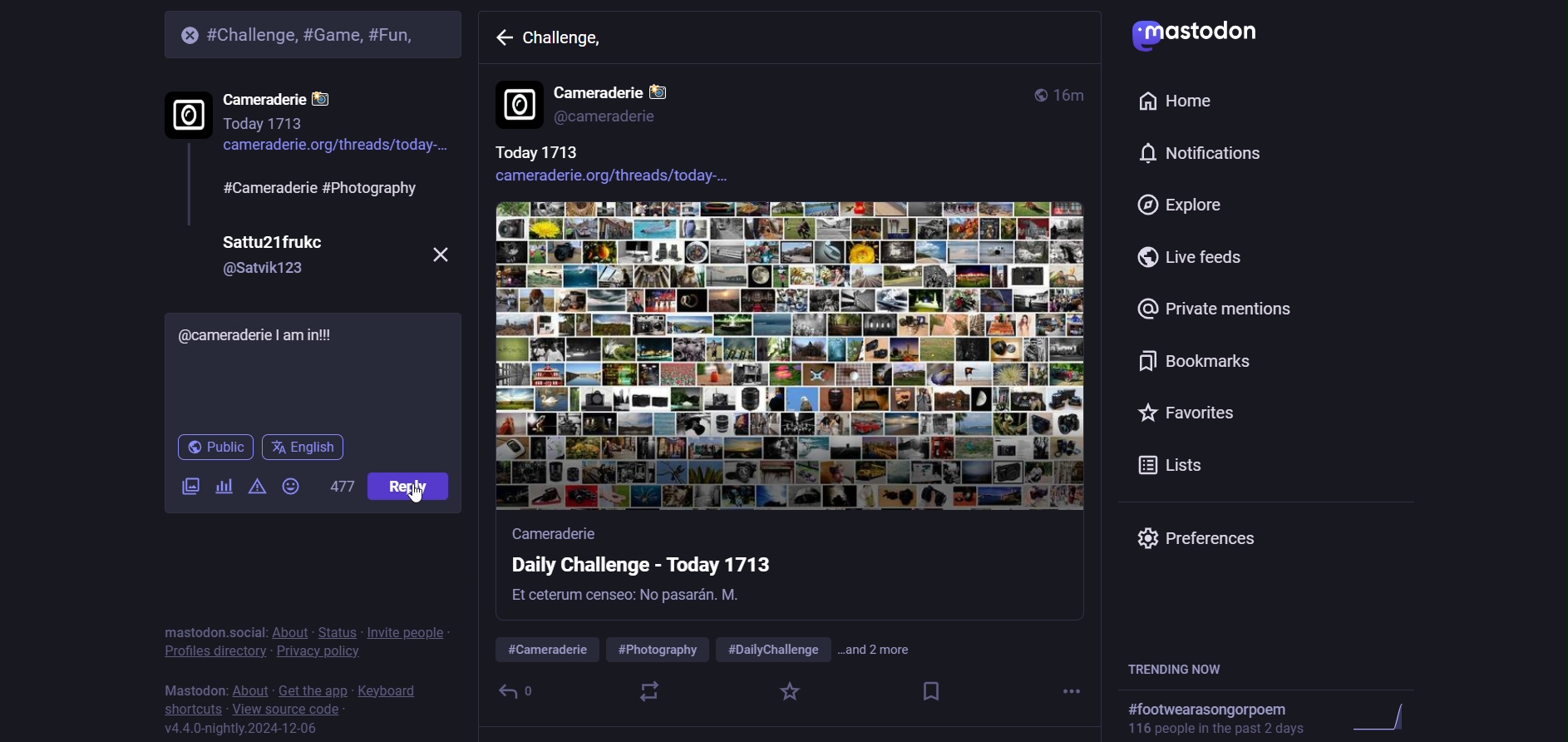 This screenshot has width=1568, height=742. I want to click on trending now, so click(1184, 668).